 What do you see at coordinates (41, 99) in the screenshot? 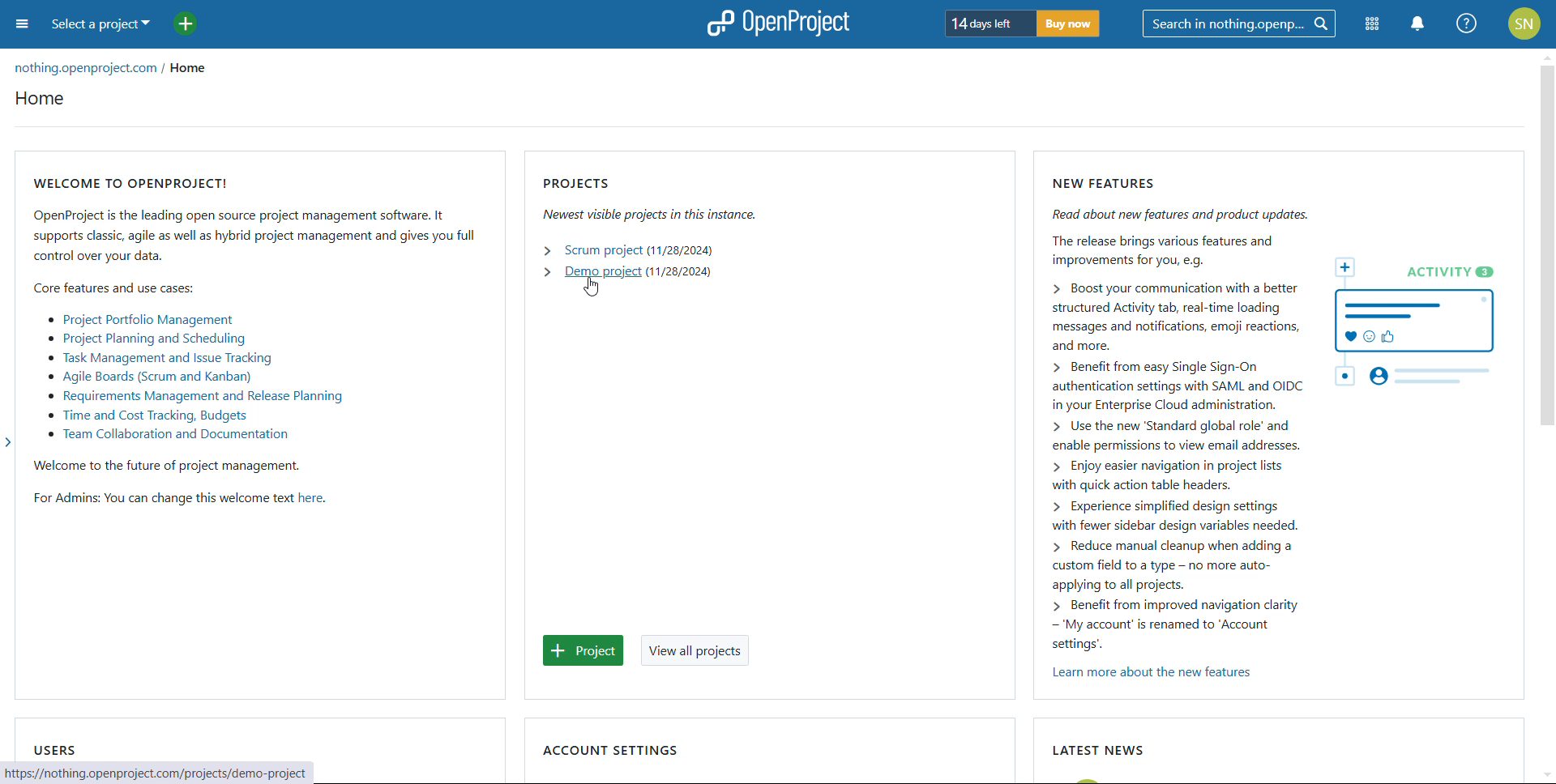
I see `home` at bounding box center [41, 99].